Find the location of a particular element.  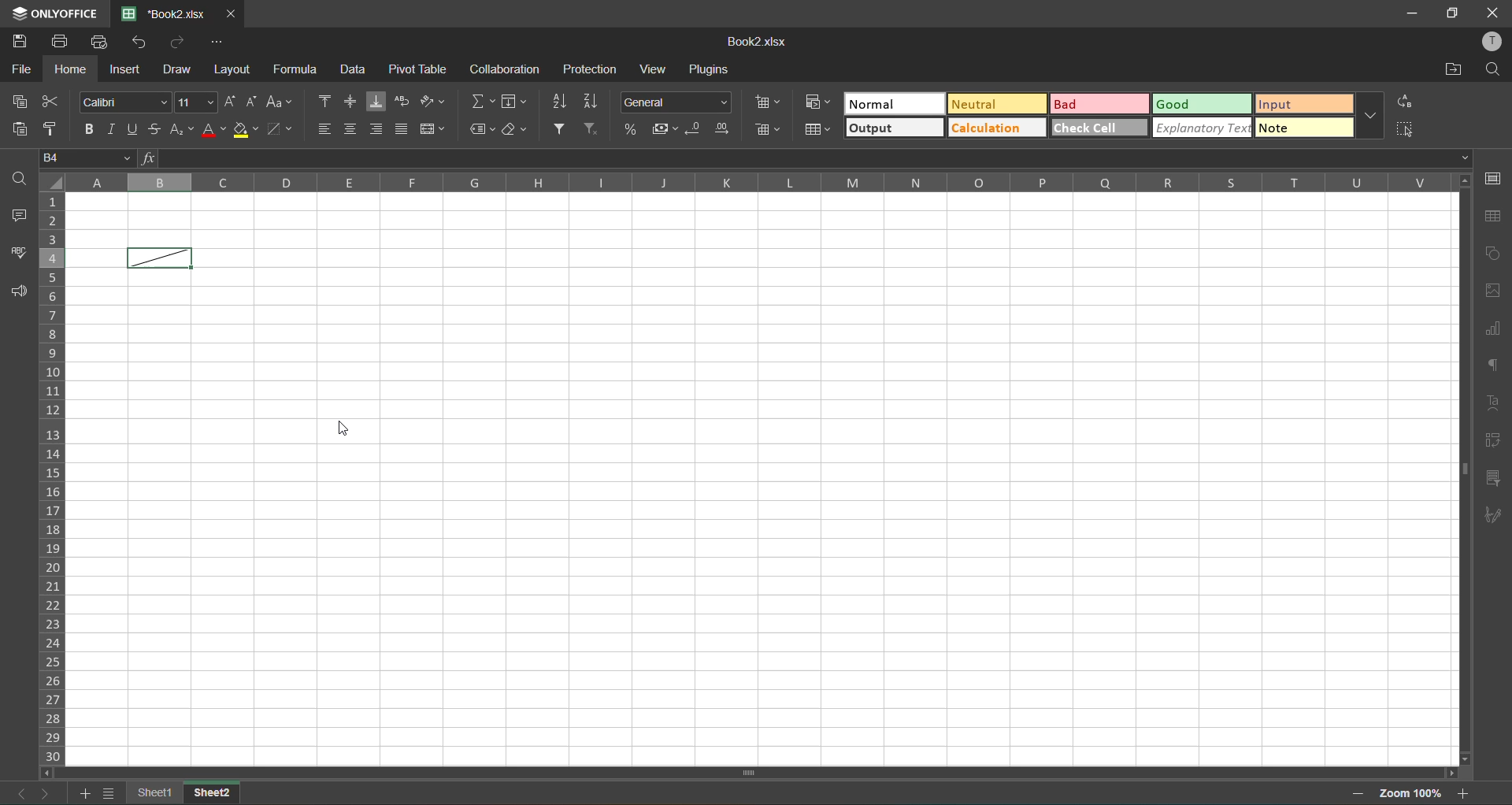

sub/superscripts is located at coordinates (181, 129).